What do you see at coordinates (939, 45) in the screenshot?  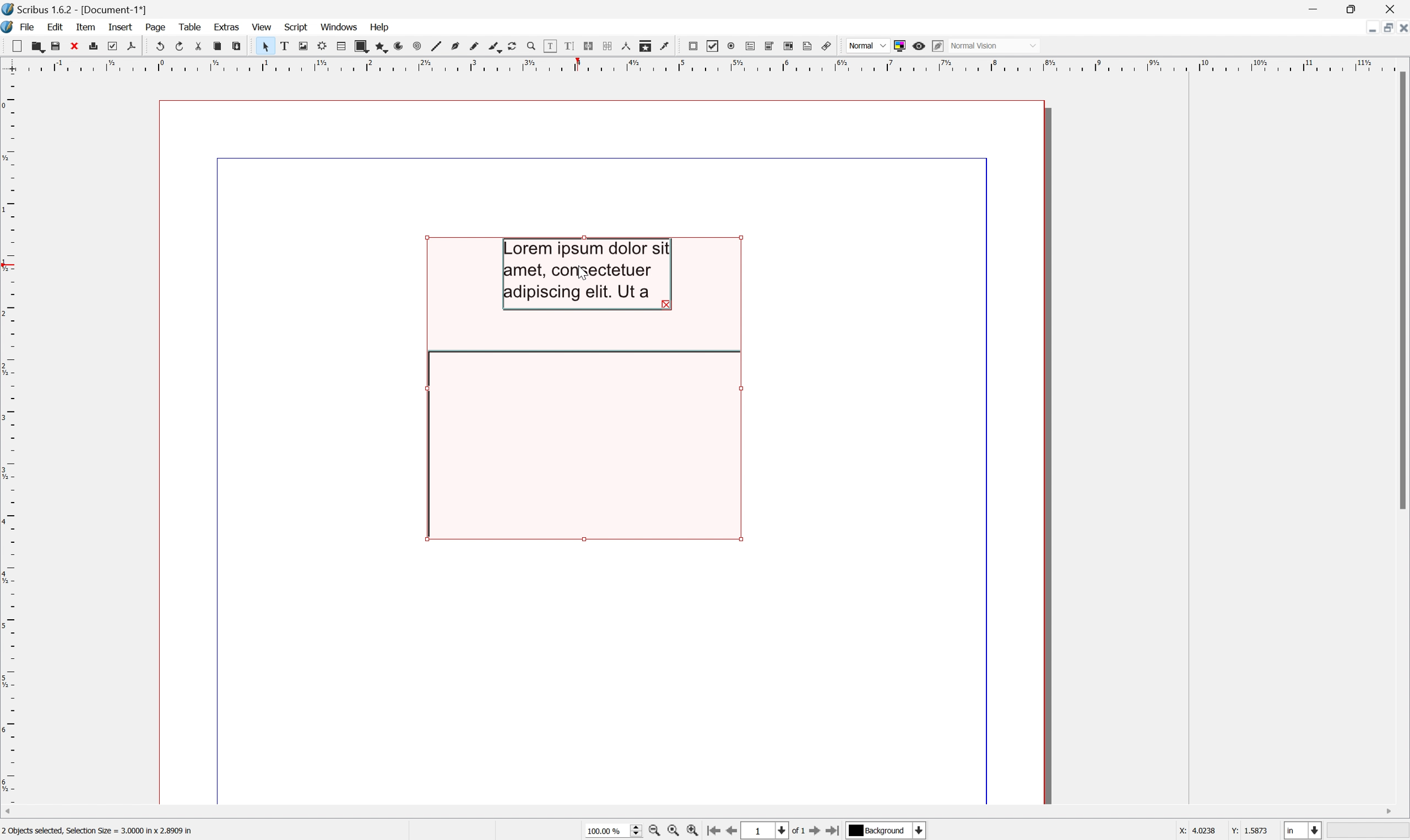 I see `Edit in preview mode` at bounding box center [939, 45].